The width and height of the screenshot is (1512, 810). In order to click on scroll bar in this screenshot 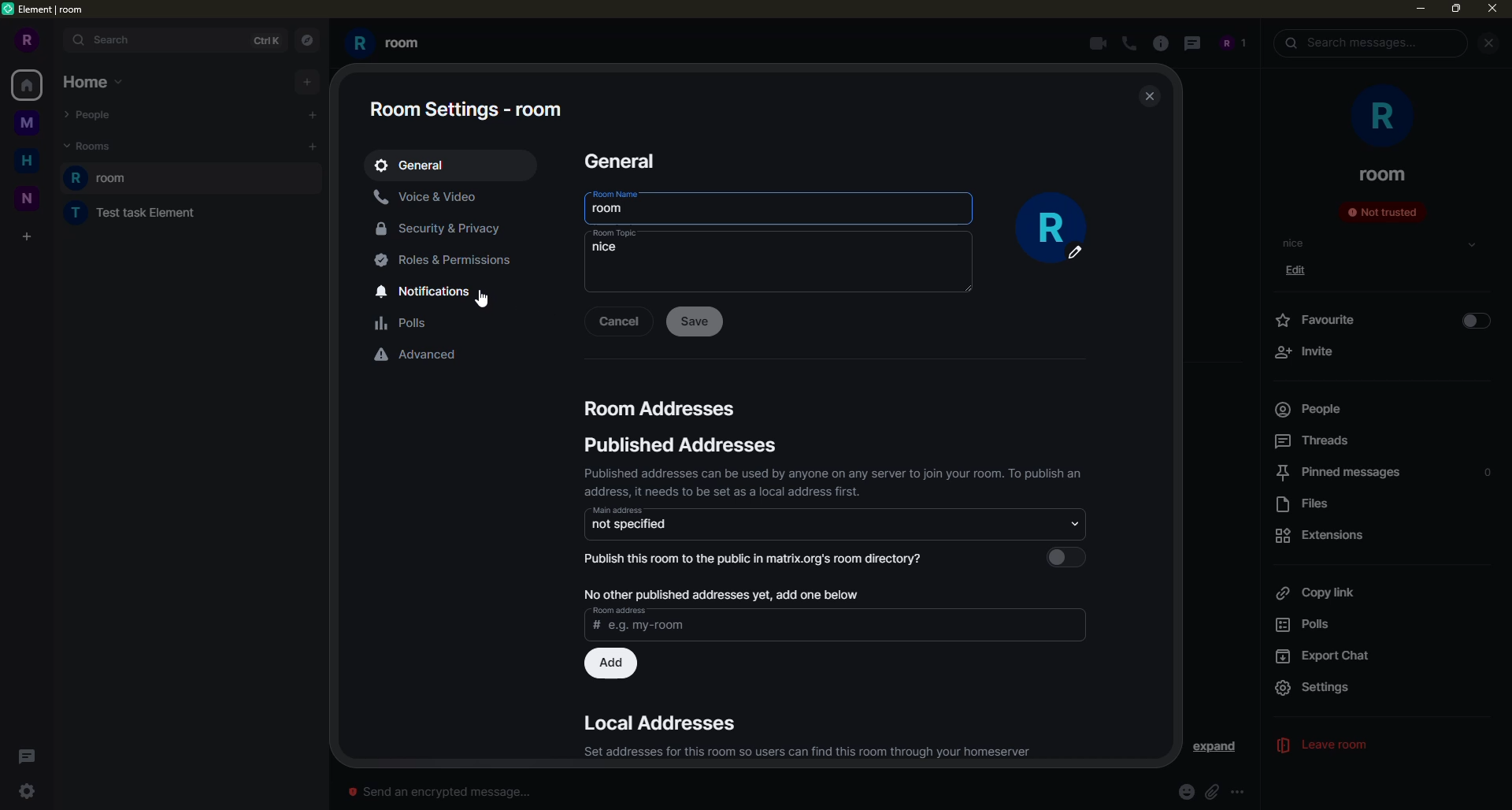, I will do `click(1255, 422)`.